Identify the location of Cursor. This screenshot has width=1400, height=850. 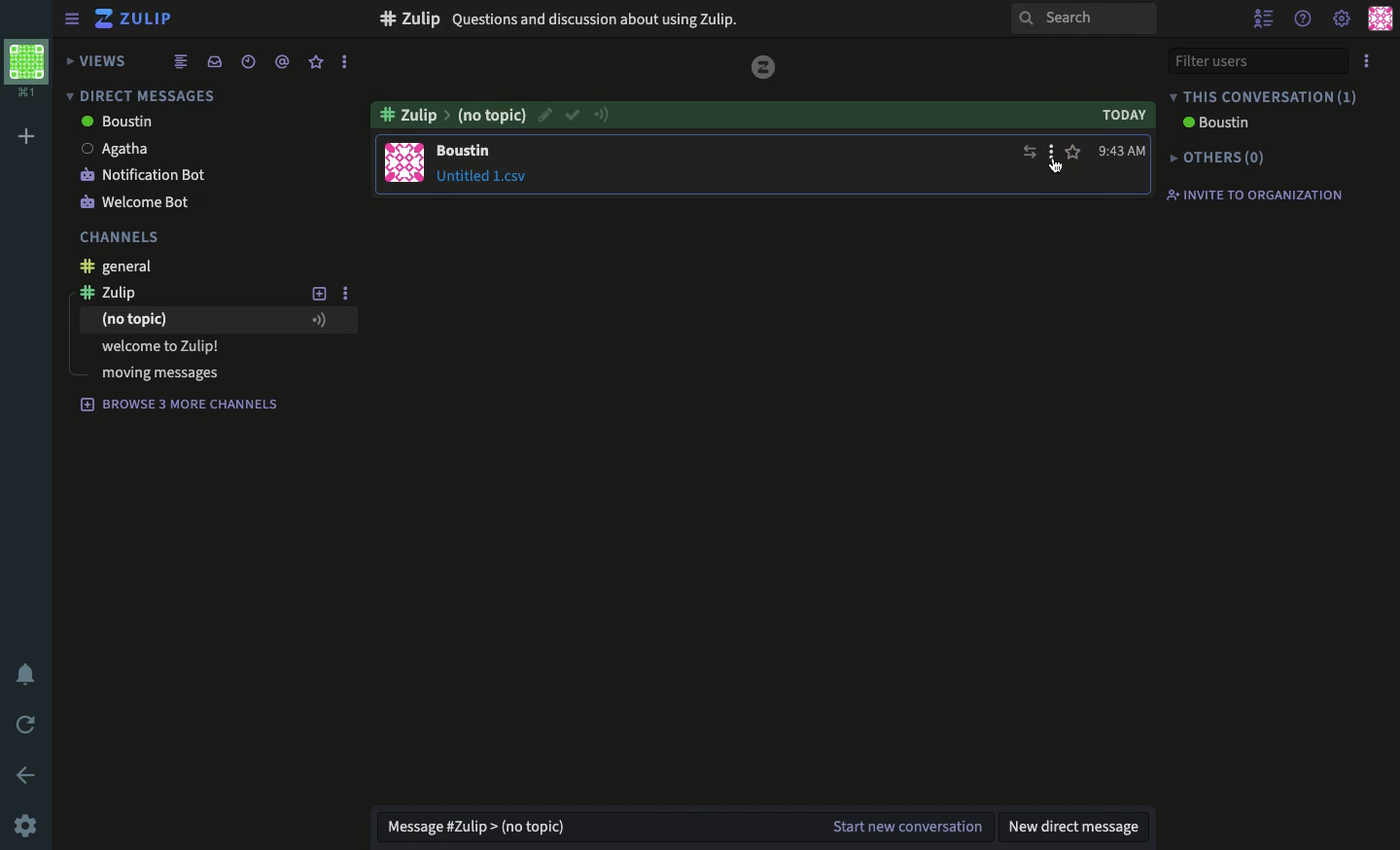
(1060, 166).